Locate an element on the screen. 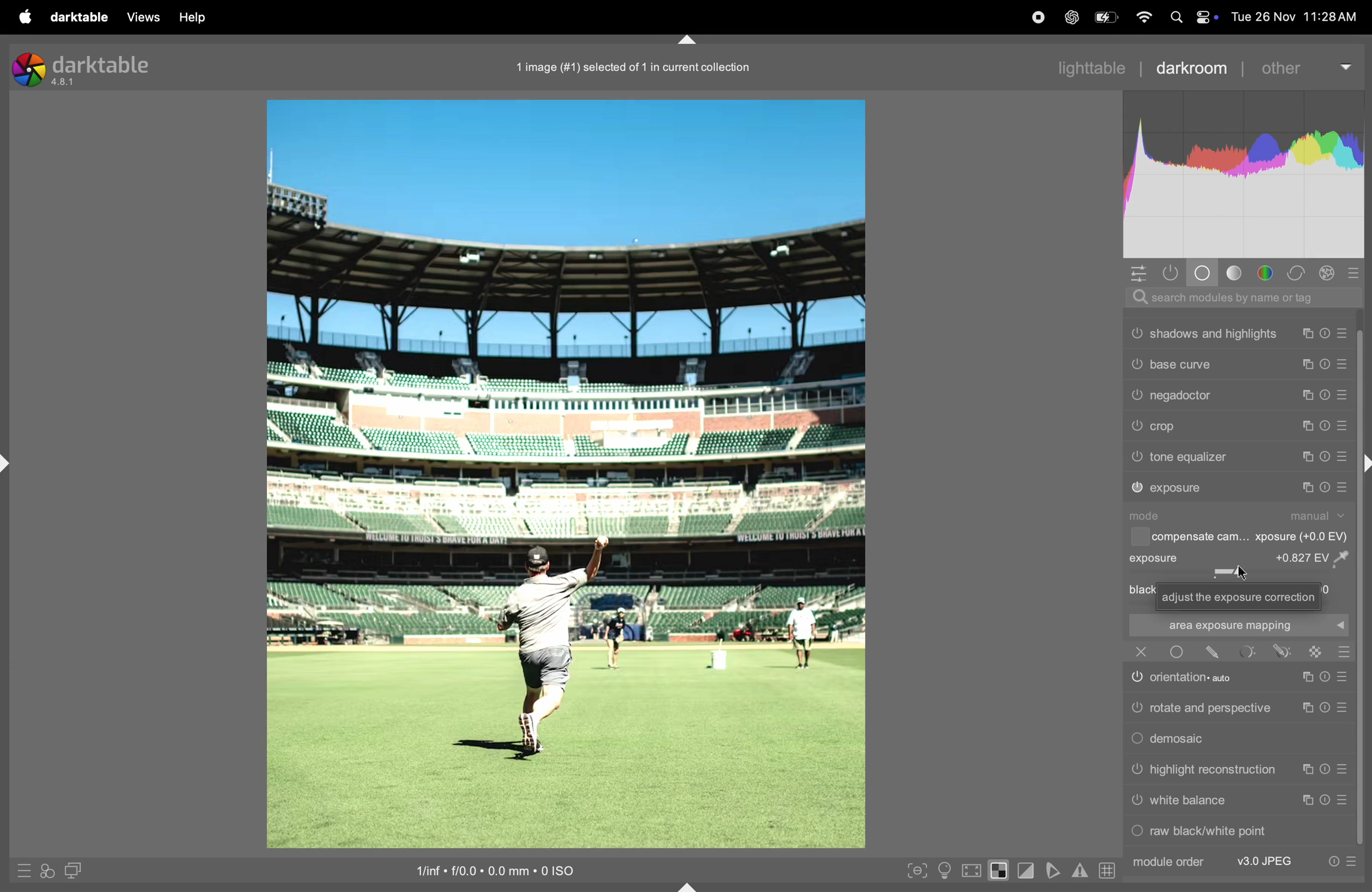 The width and height of the screenshot is (1372, 892). expand or collapse  is located at coordinates (687, 38).